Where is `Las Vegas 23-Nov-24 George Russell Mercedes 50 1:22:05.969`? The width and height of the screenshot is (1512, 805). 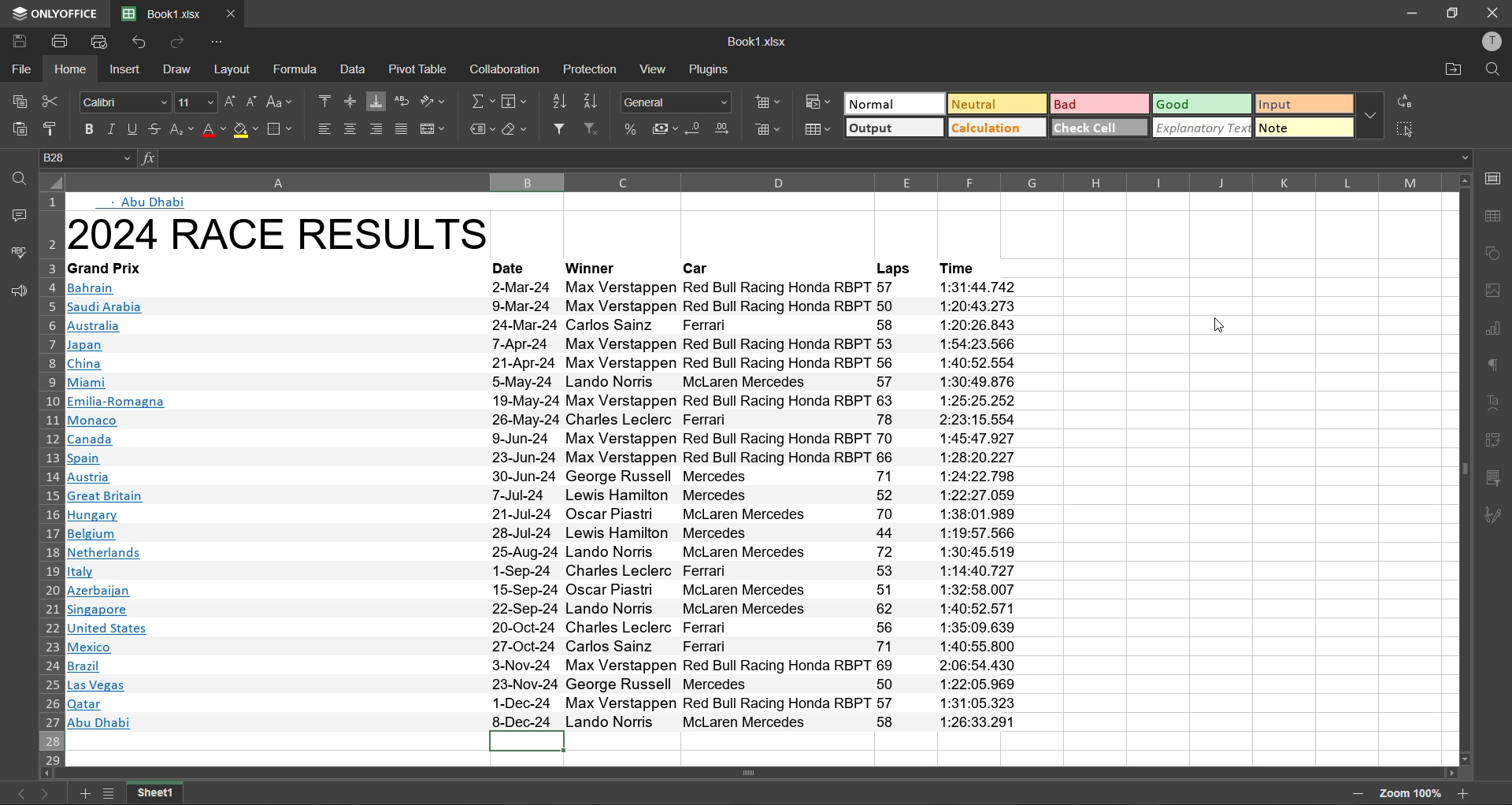
Las Vegas 23-Nov-24 George Russell Mercedes 50 1:22:05.969 is located at coordinates (547, 686).